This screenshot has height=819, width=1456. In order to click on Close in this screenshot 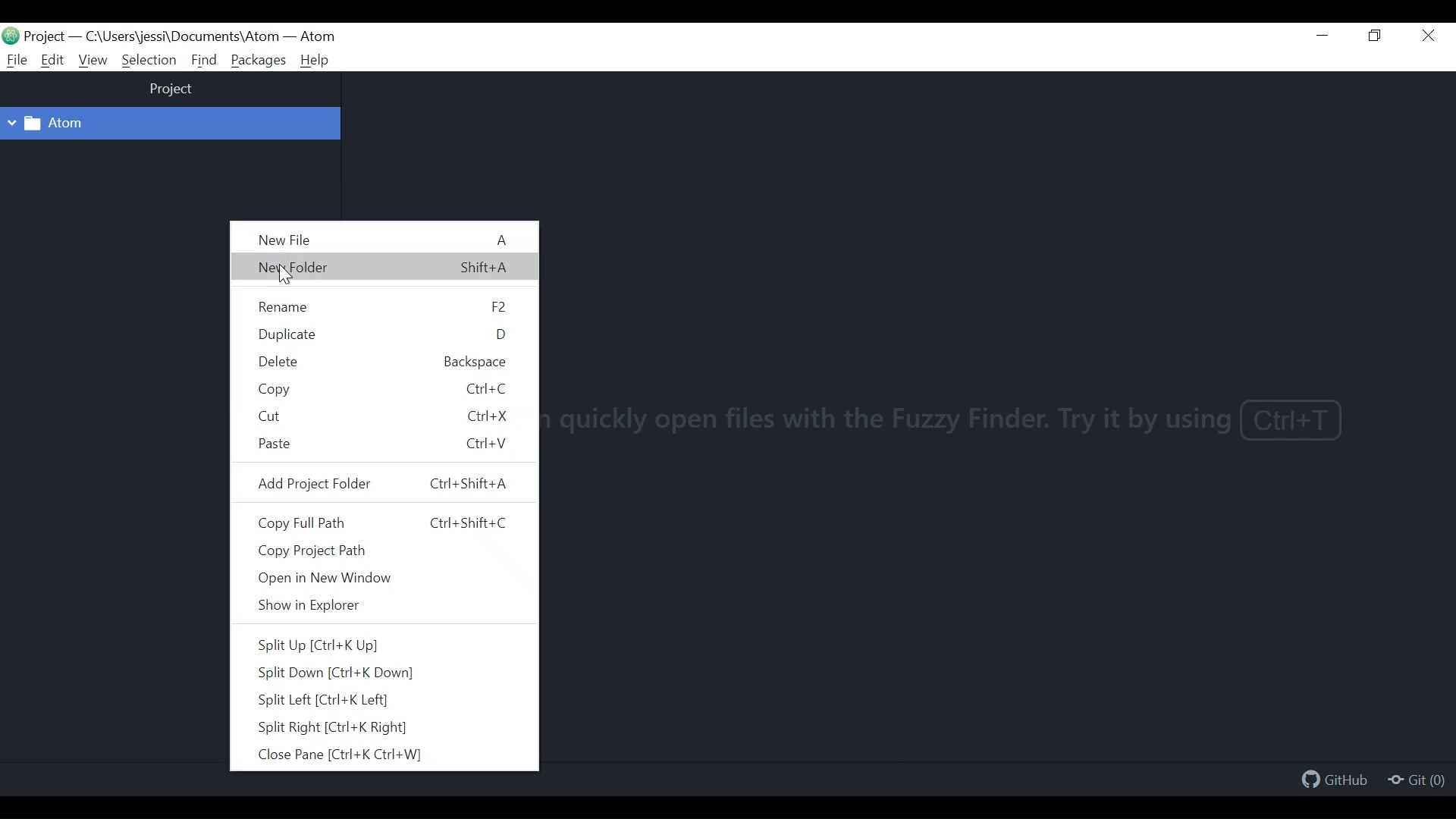, I will do `click(1429, 36)`.